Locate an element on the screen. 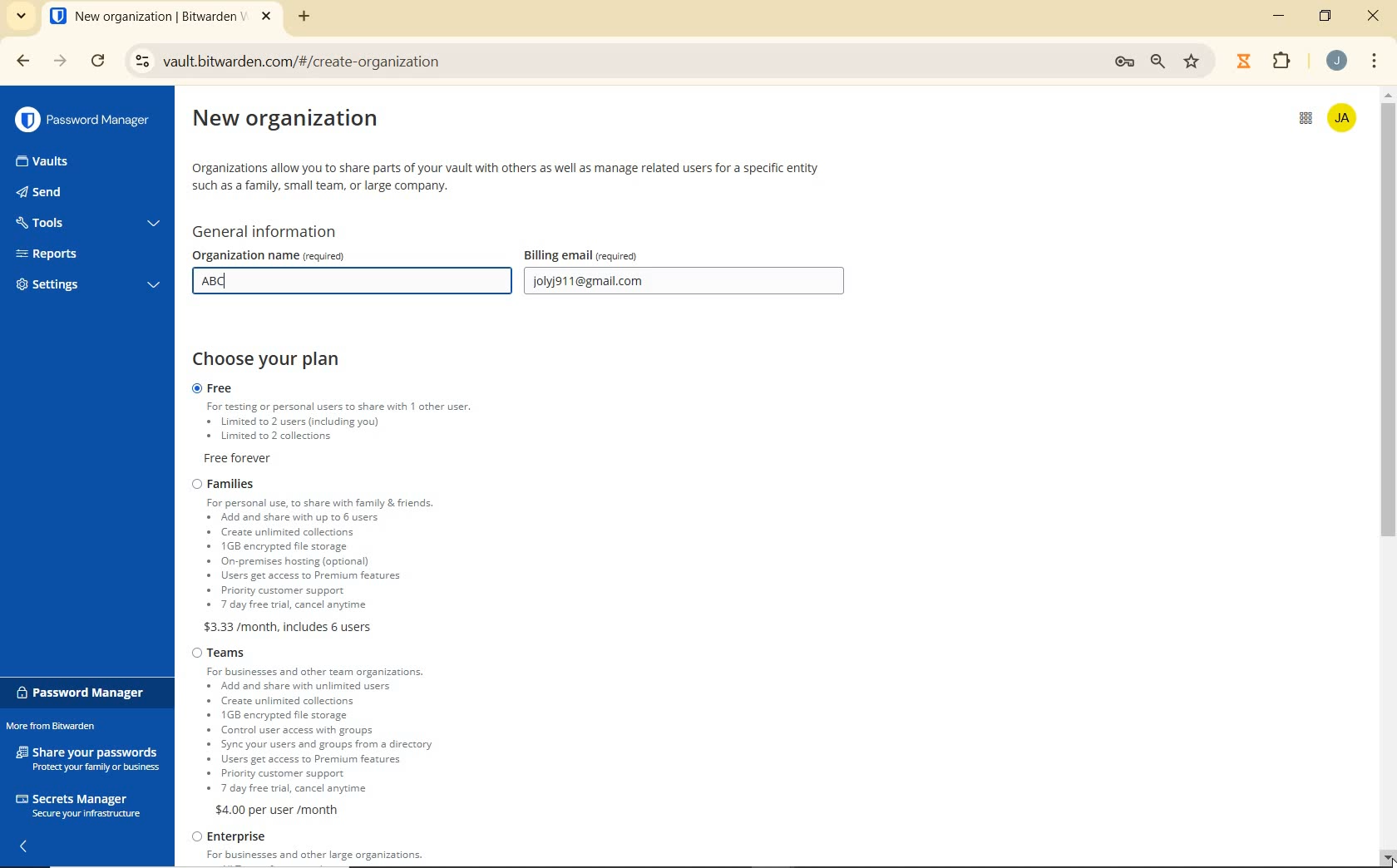 This screenshot has height=868, width=1397. settings is located at coordinates (85, 287).